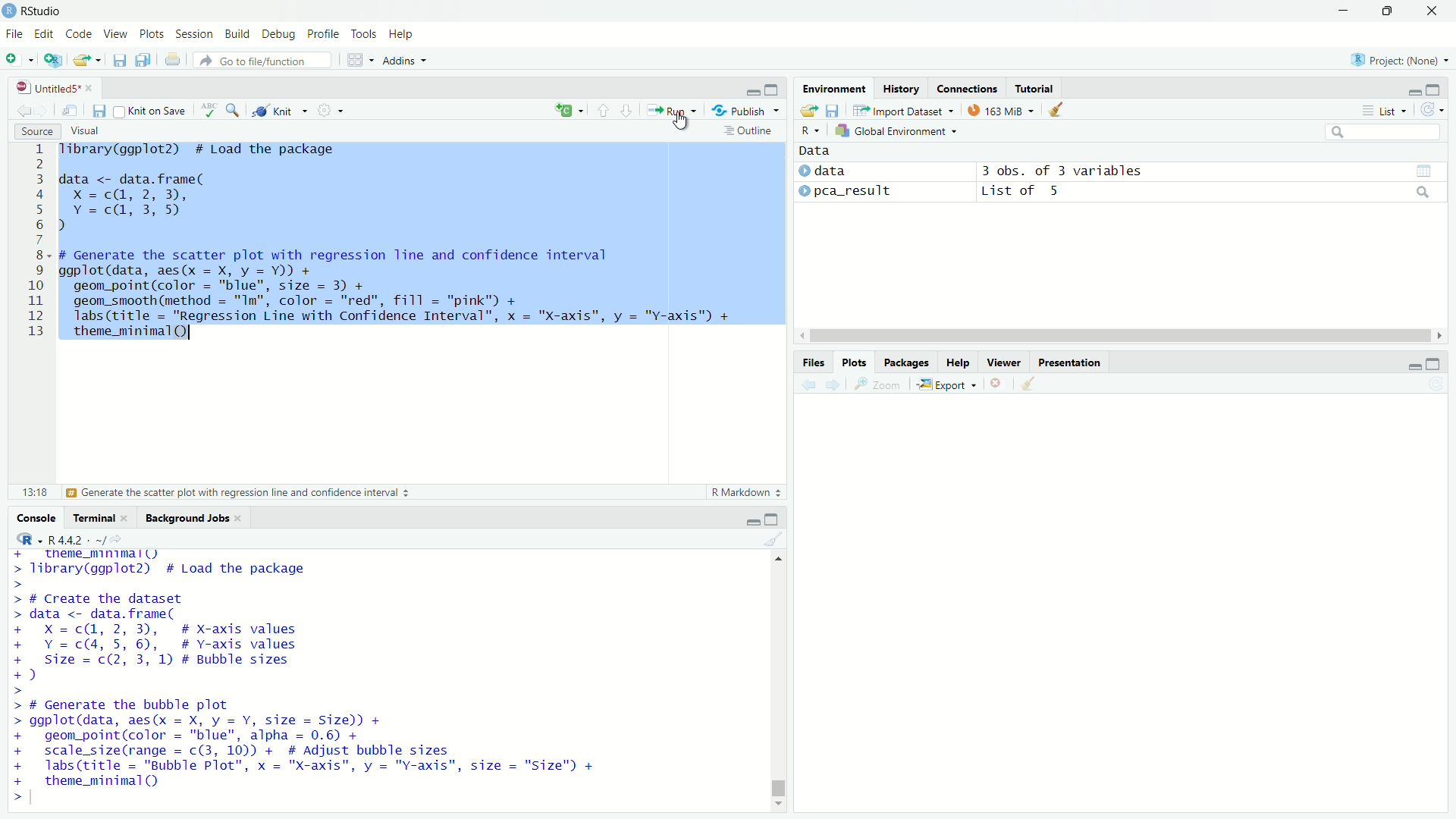 The width and height of the screenshot is (1456, 819). Describe the element at coordinates (33, 11) in the screenshot. I see `RStudio` at that location.